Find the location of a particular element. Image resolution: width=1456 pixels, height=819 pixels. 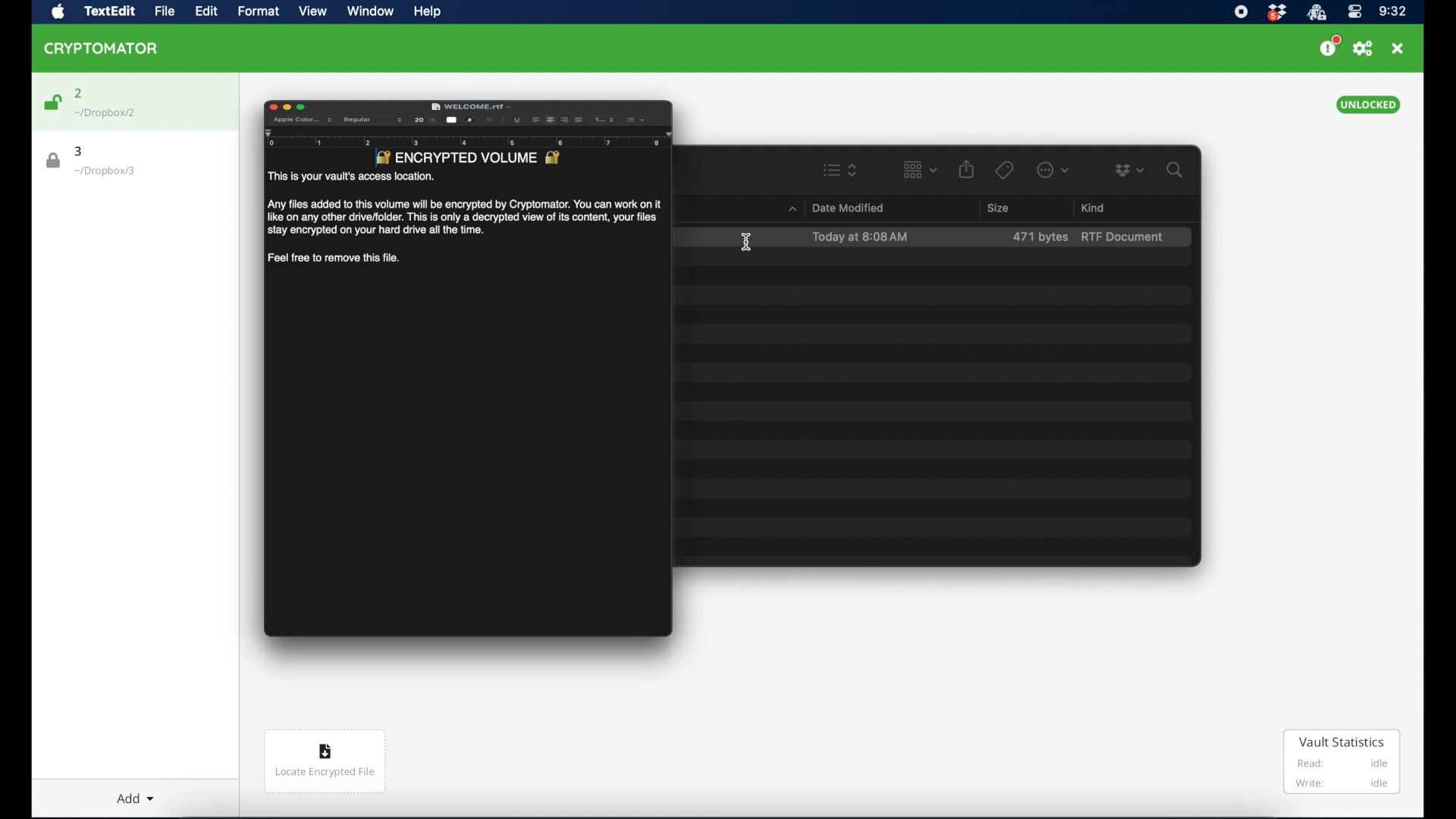

Go is located at coordinates (315, 11).